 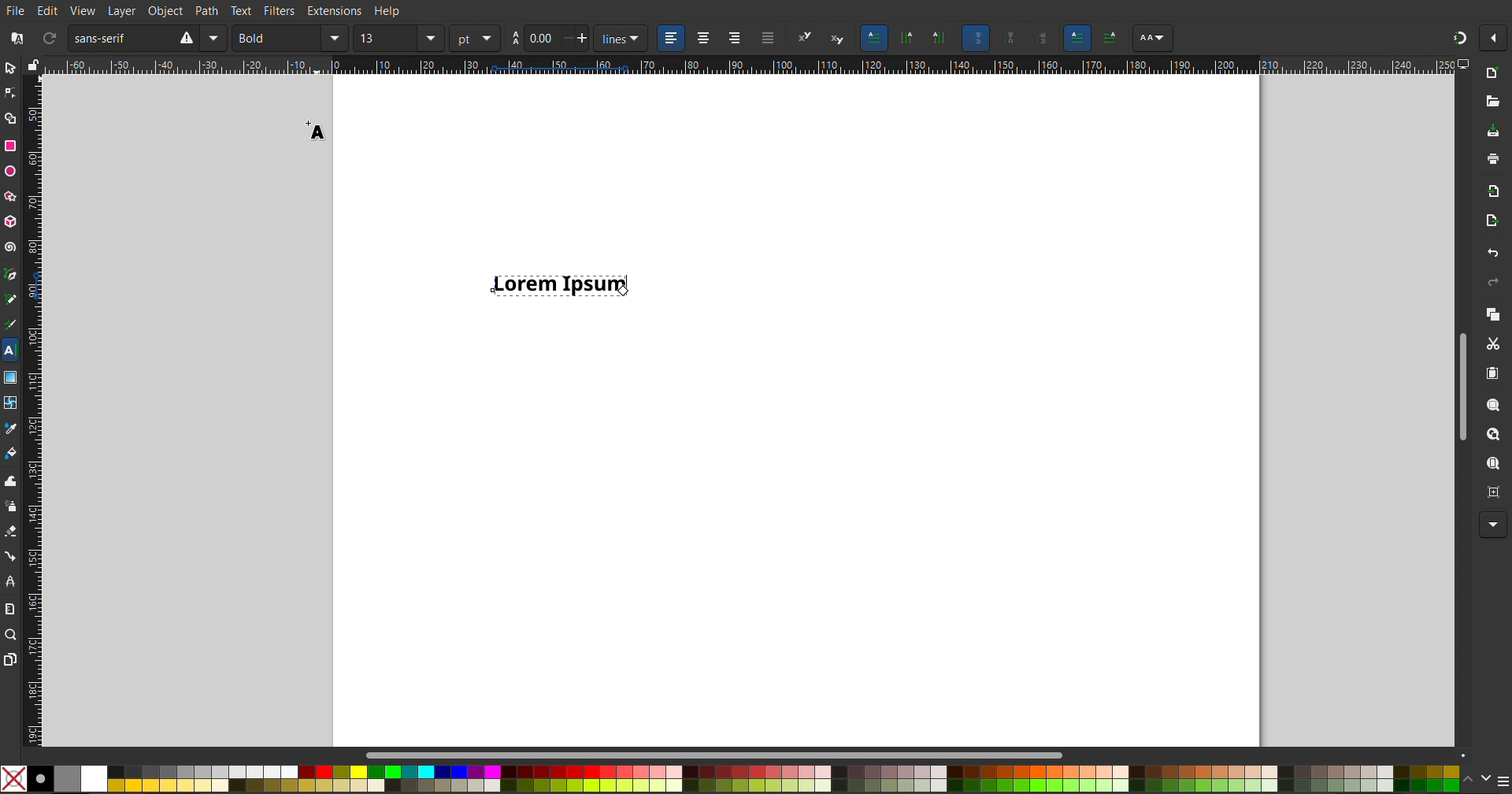 I want to click on subscript, so click(x=839, y=39).